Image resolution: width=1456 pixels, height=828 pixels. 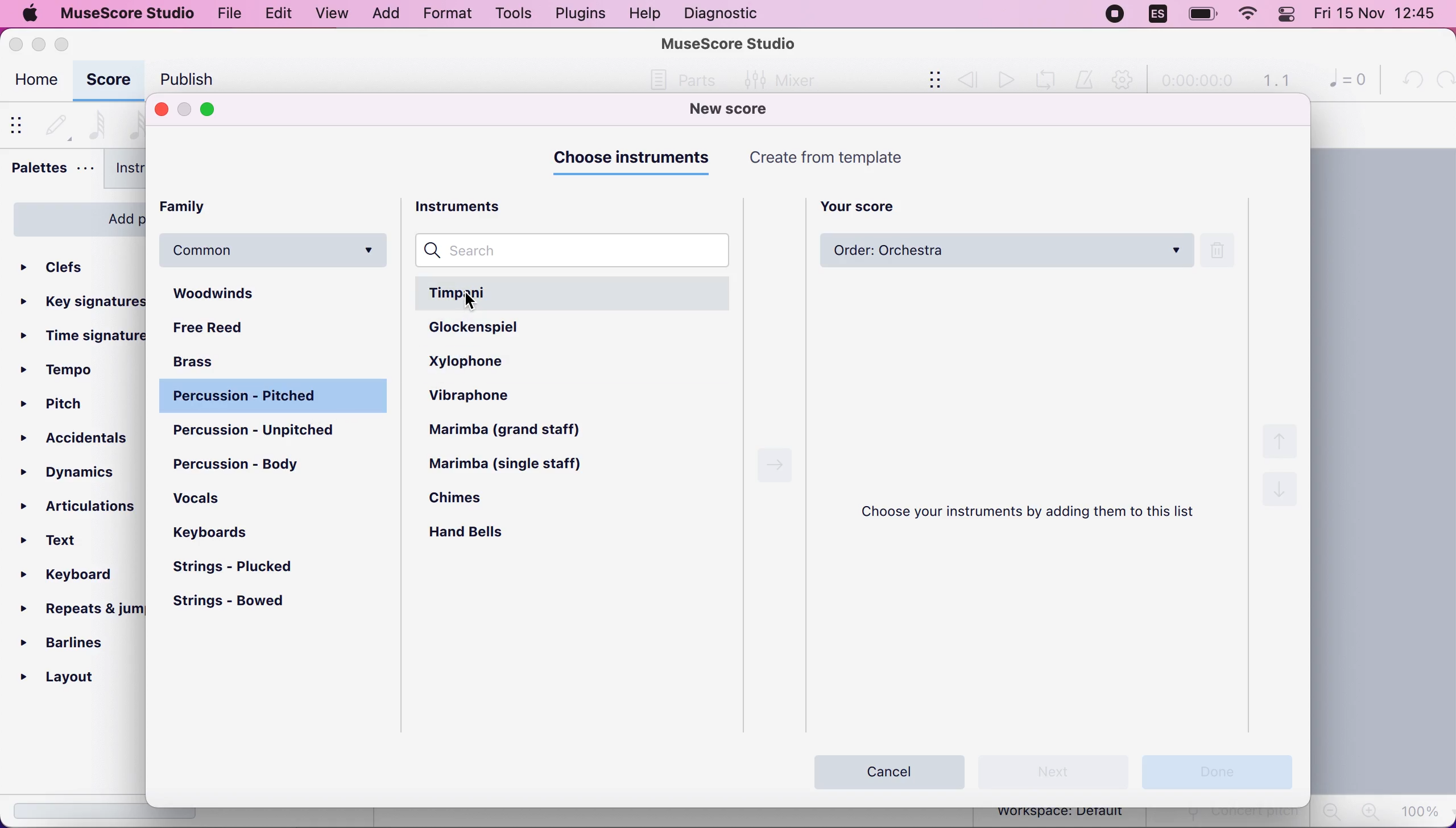 I want to click on default, so click(x=56, y=122).